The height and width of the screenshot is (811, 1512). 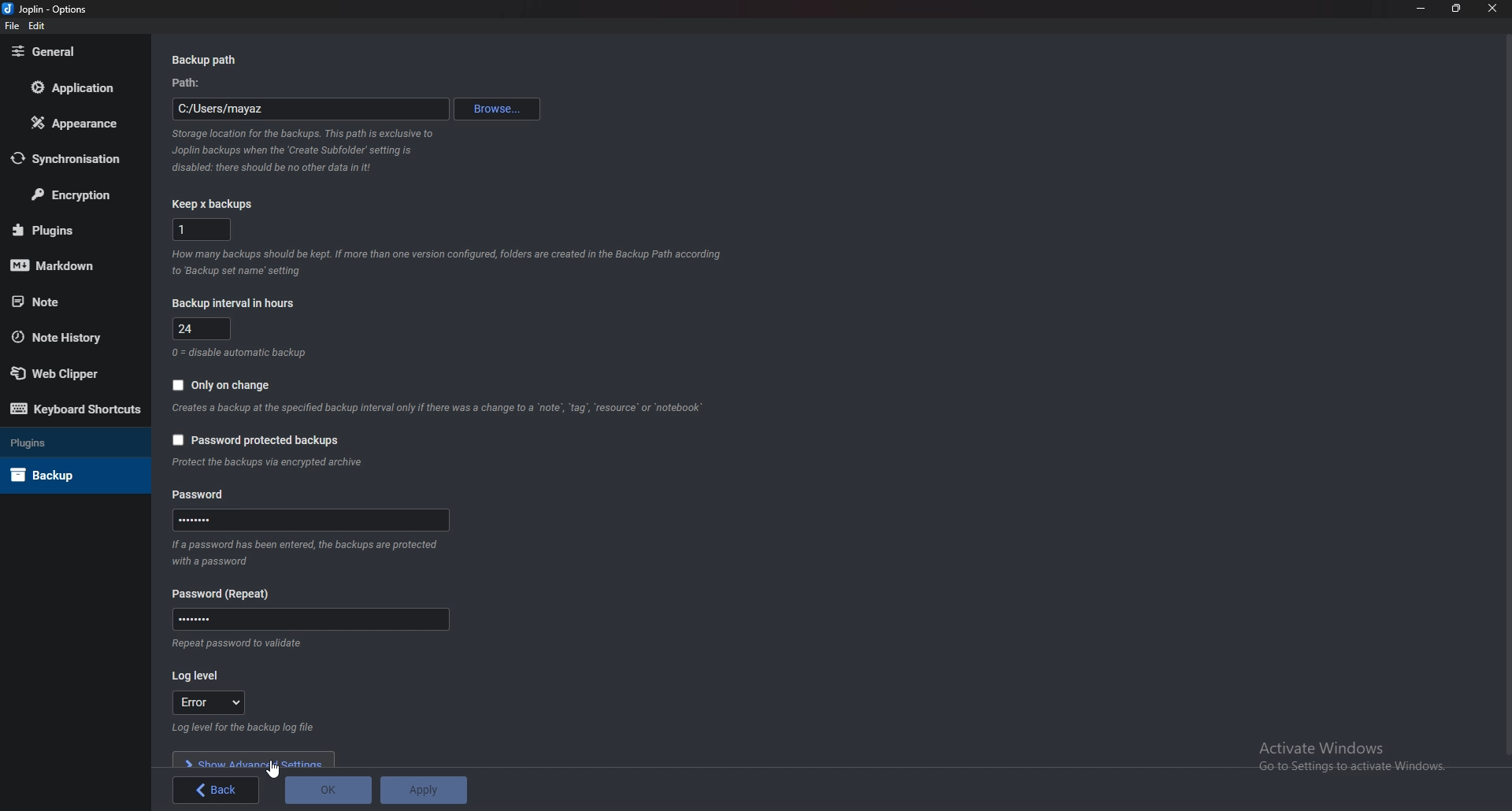 I want to click on Info, so click(x=272, y=463).